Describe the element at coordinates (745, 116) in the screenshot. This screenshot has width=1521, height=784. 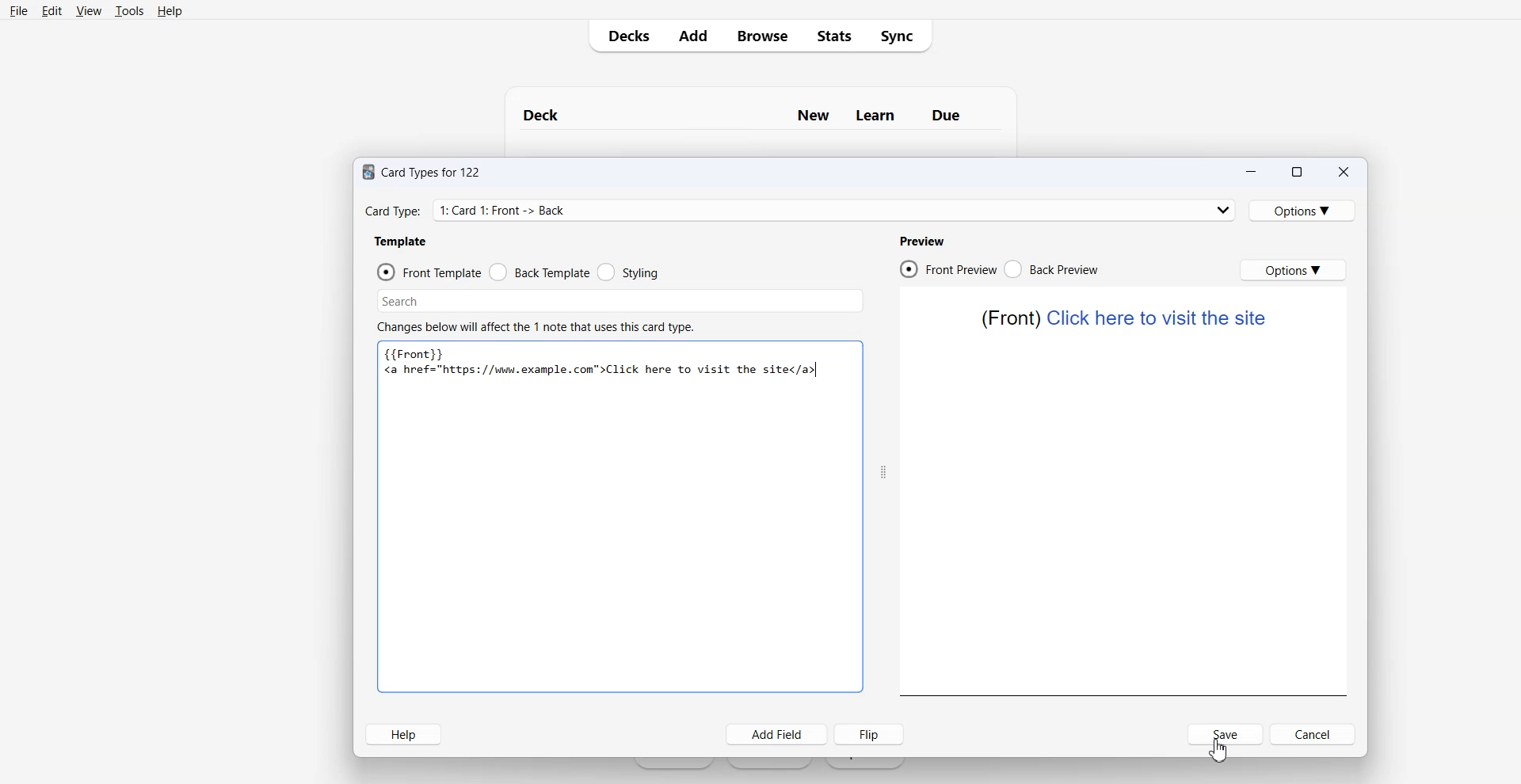
I see `Text 1` at that location.